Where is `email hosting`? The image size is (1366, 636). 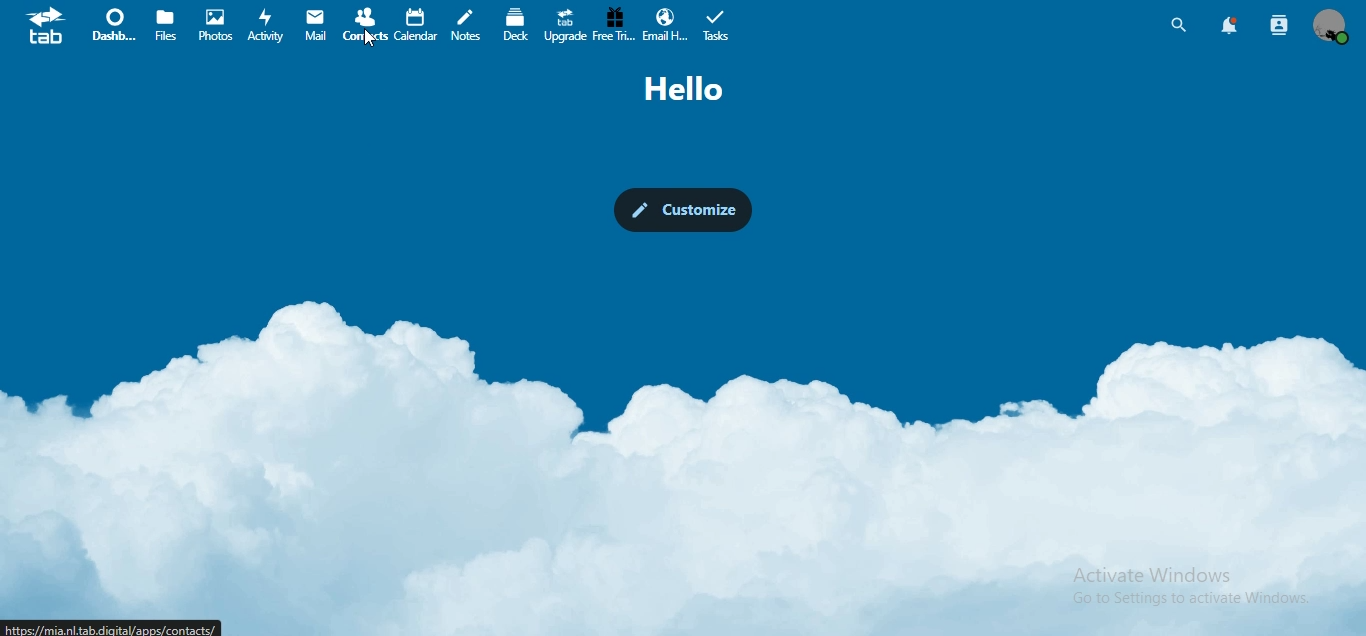 email hosting is located at coordinates (664, 27).